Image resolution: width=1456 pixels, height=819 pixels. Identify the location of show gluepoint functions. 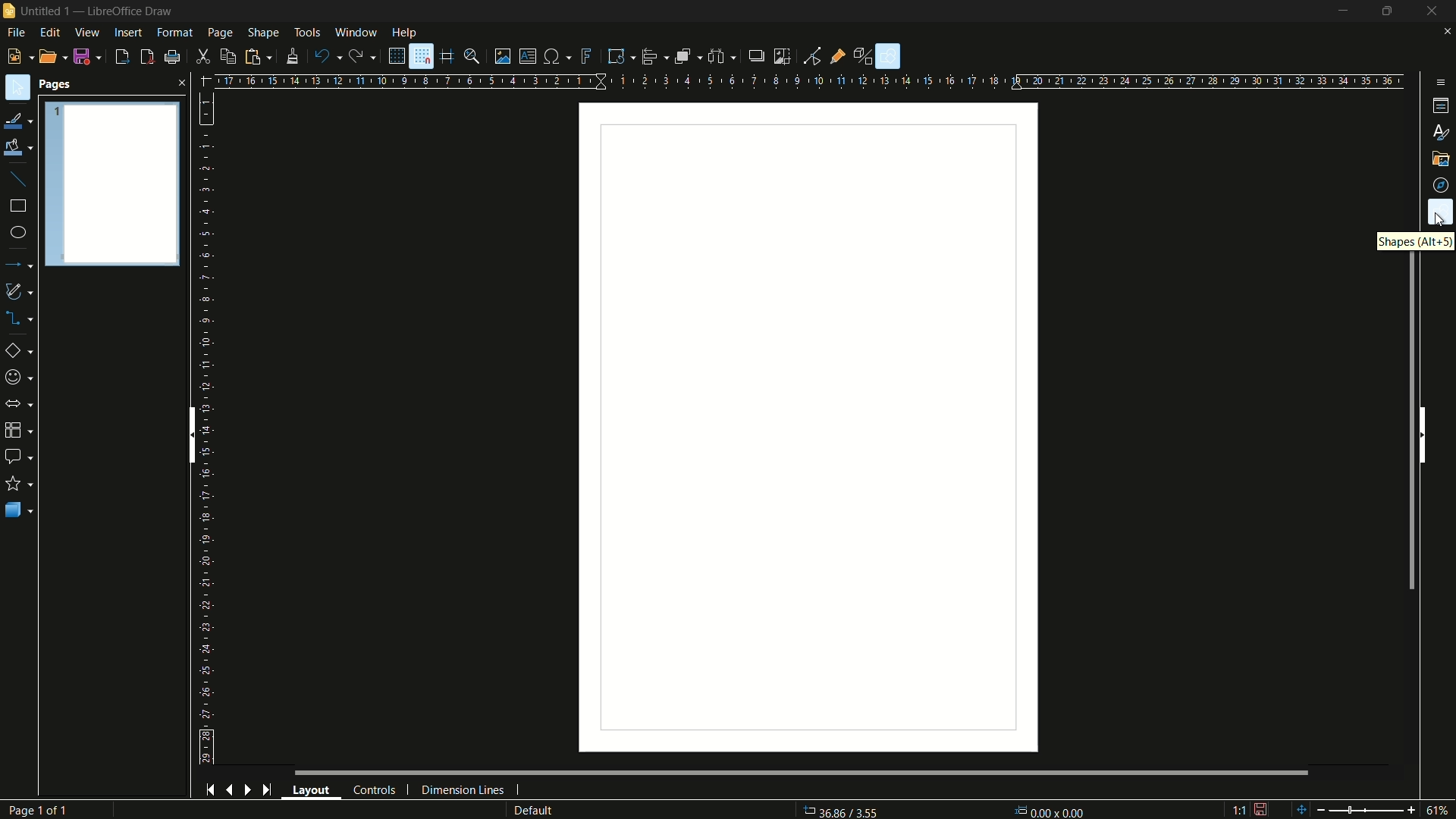
(839, 55).